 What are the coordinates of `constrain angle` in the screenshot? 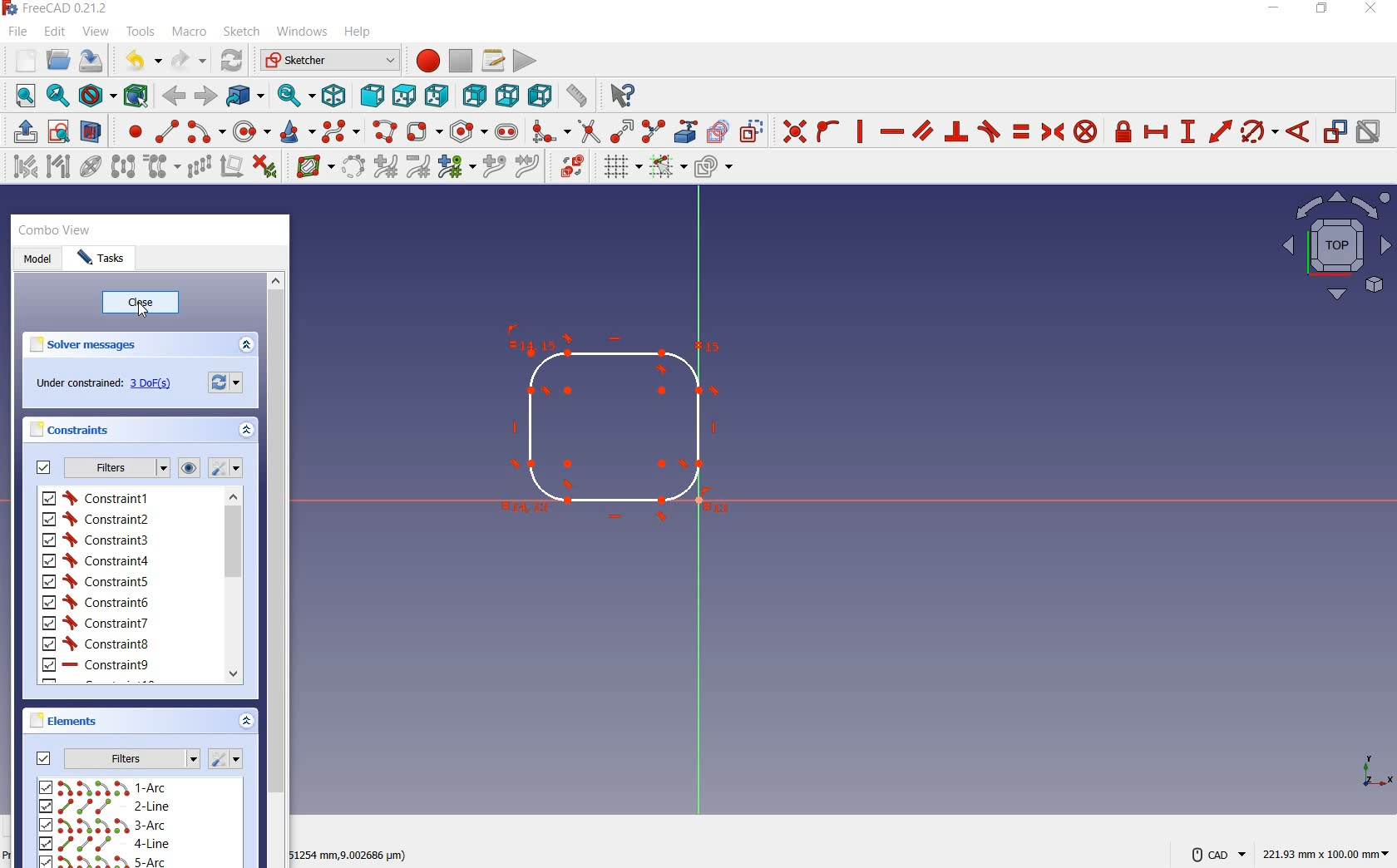 It's located at (1298, 133).